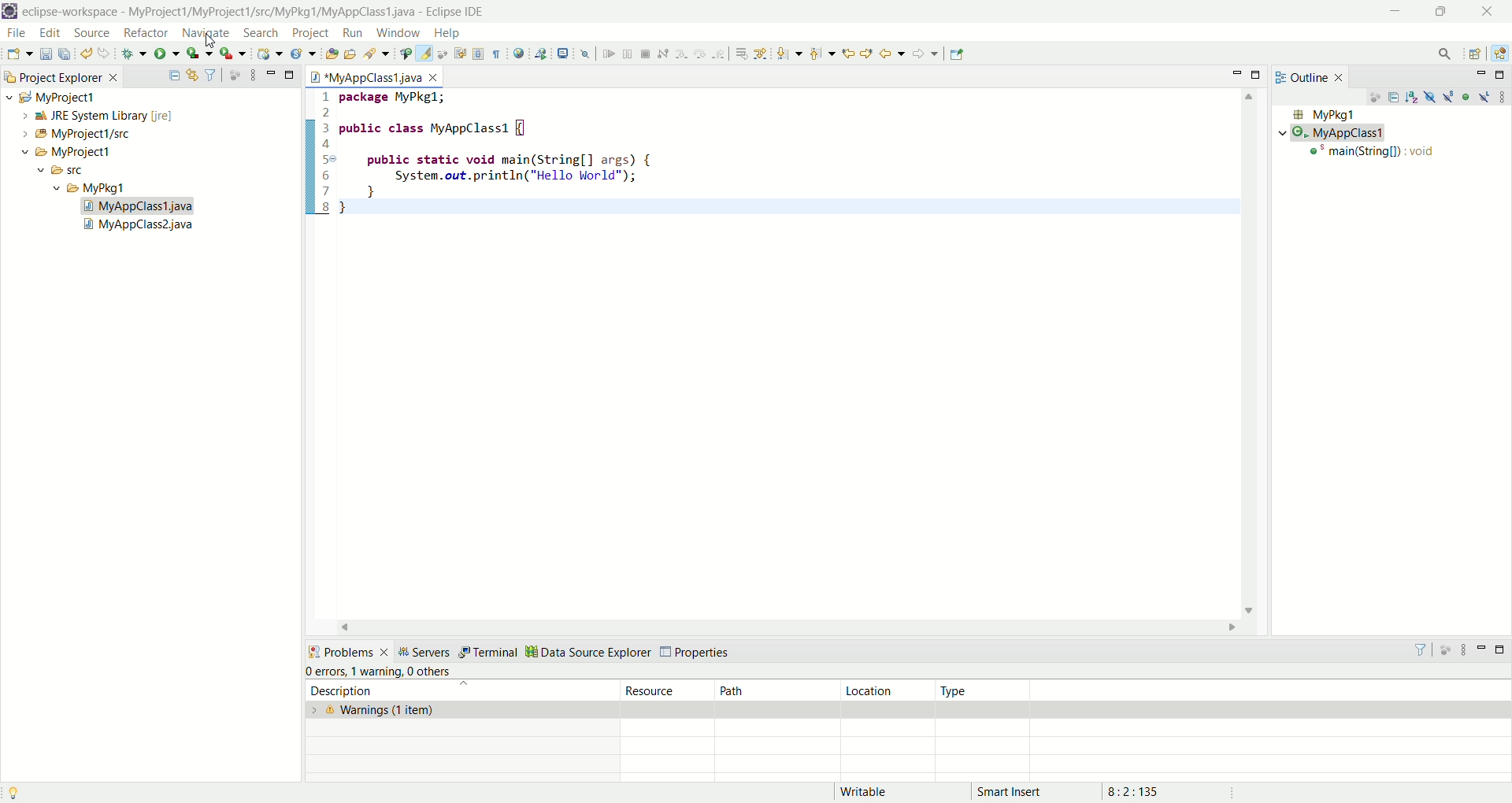 The width and height of the screenshot is (1512, 803). What do you see at coordinates (1259, 74) in the screenshot?
I see `maximize` at bounding box center [1259, 74].